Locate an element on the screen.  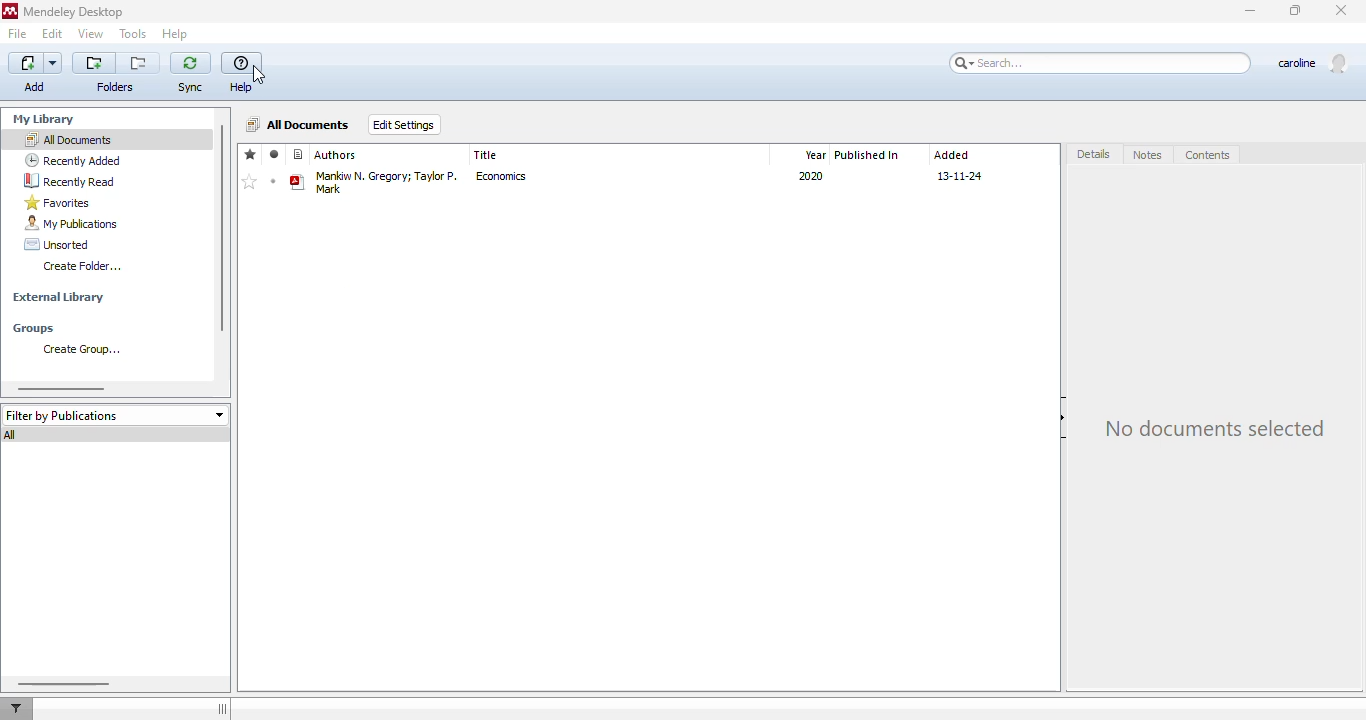
filter documents by author, tag or publication. is located at coordinates (17, 708).